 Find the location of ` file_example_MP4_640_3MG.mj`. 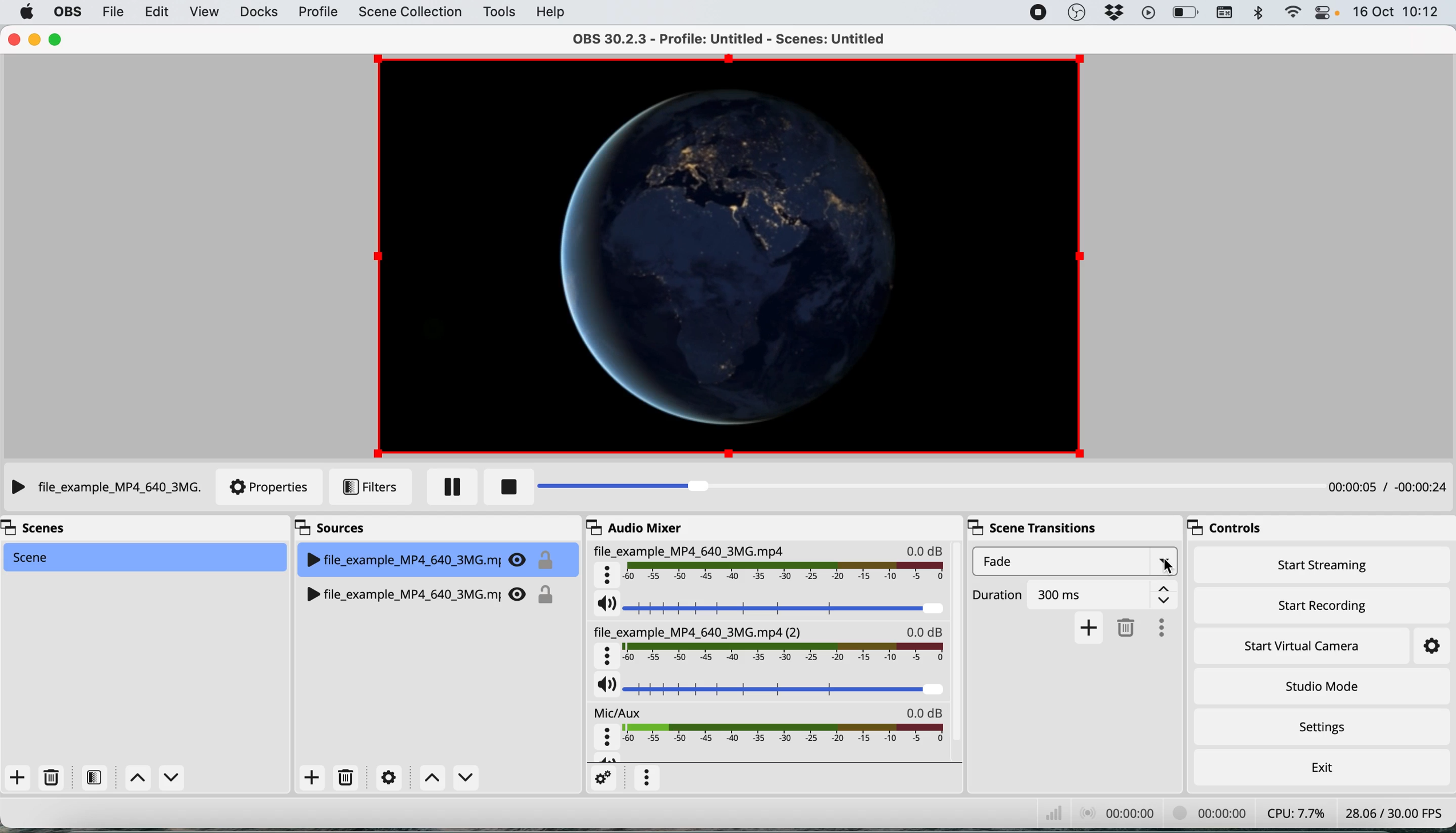

 file_example_MP4_640_3MG.mj is located at coordinates (437, 562).